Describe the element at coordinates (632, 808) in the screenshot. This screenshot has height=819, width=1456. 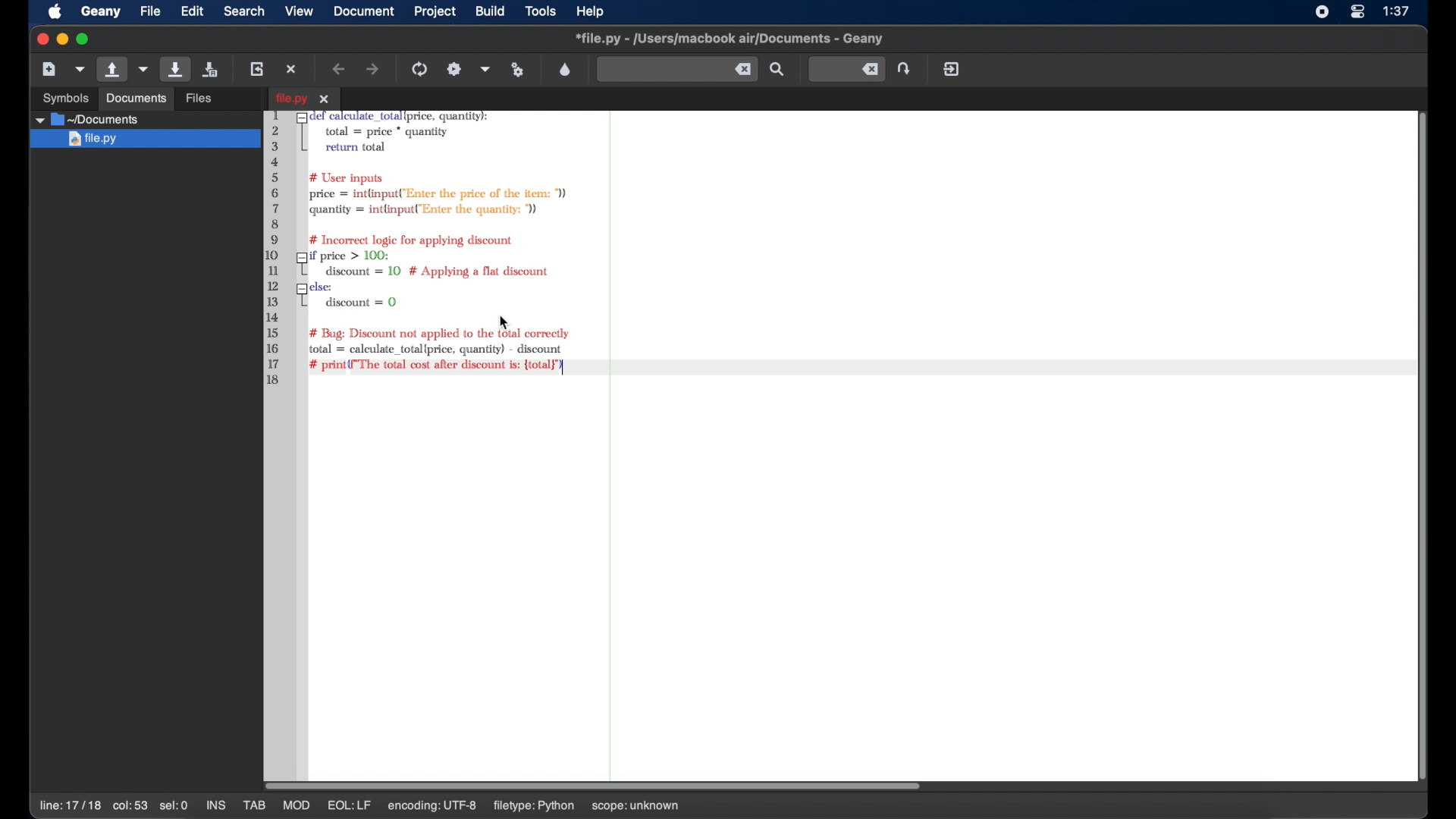
I see `scope: unknown` at that location.